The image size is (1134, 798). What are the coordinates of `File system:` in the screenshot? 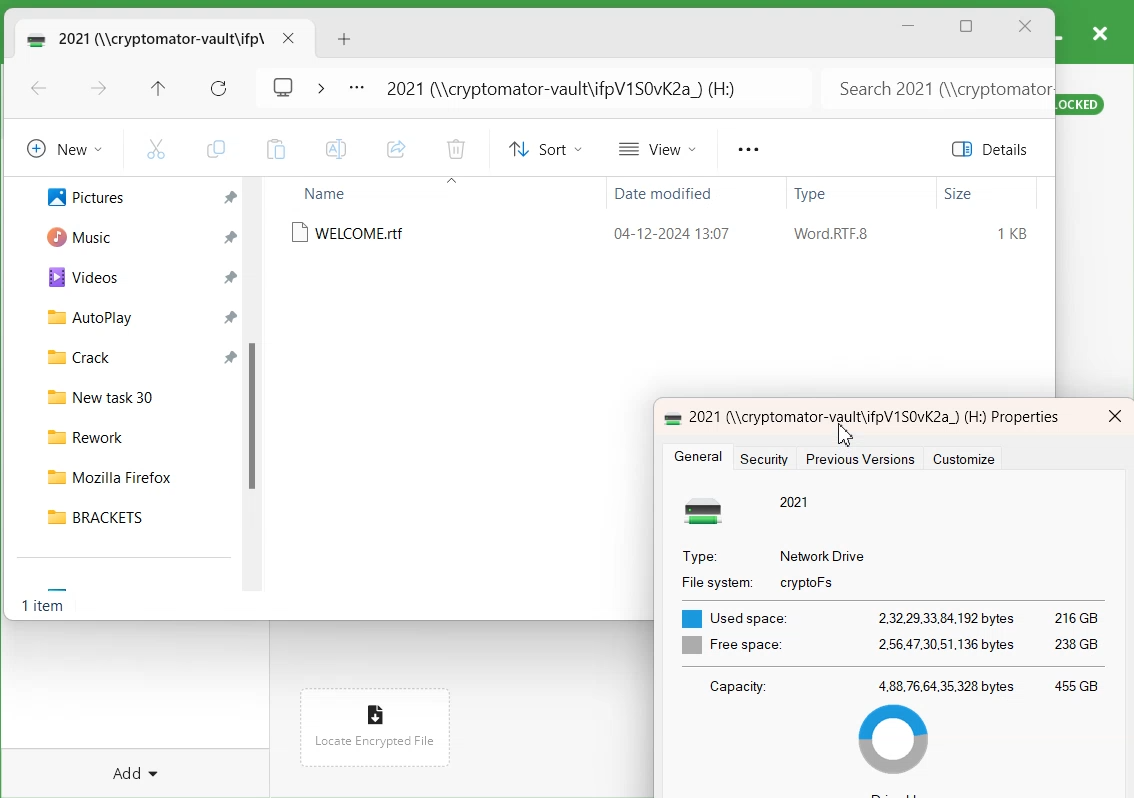 It's located at (714, 583).